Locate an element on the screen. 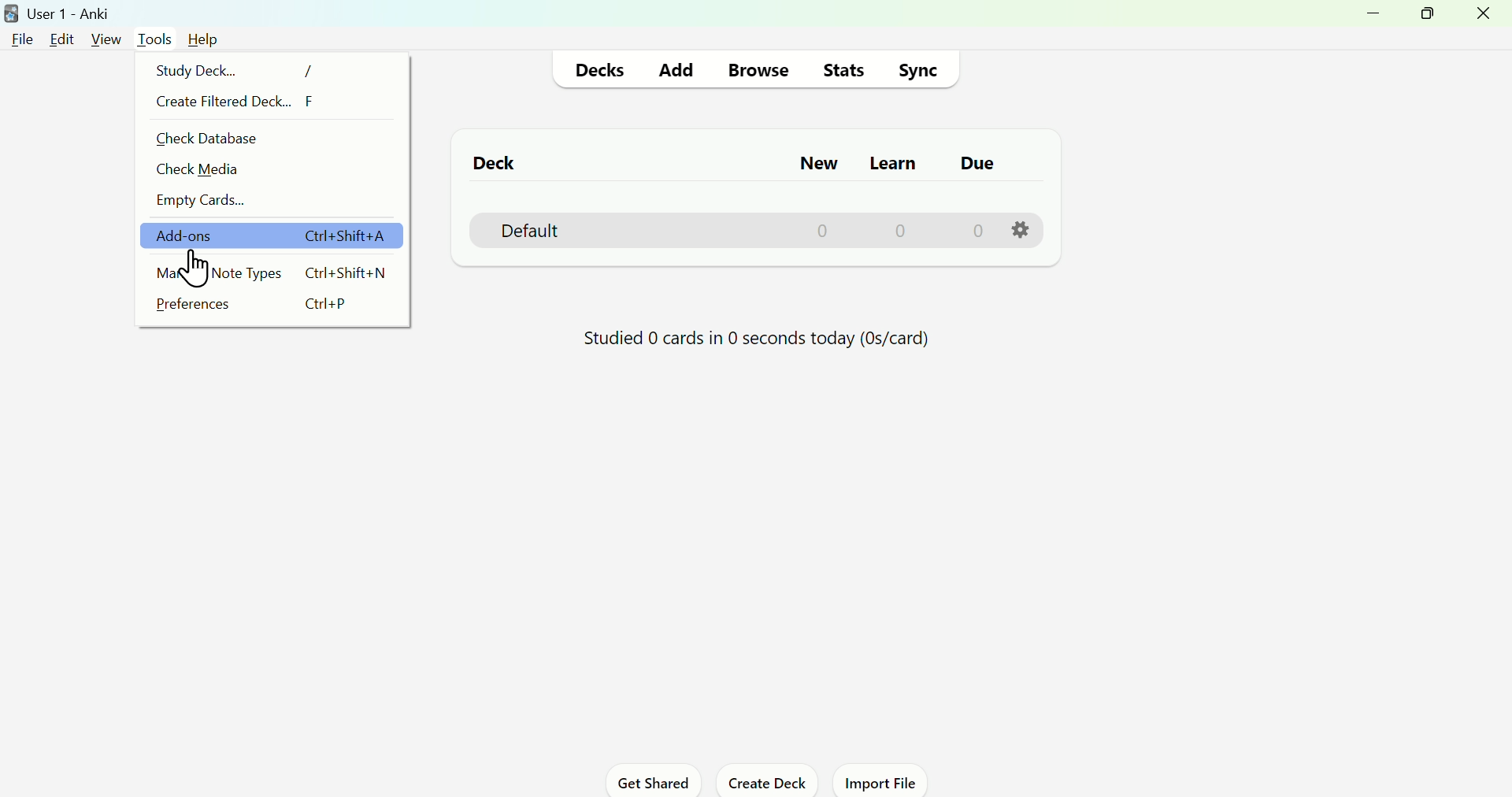  Due is located at coordinates (977, 165).